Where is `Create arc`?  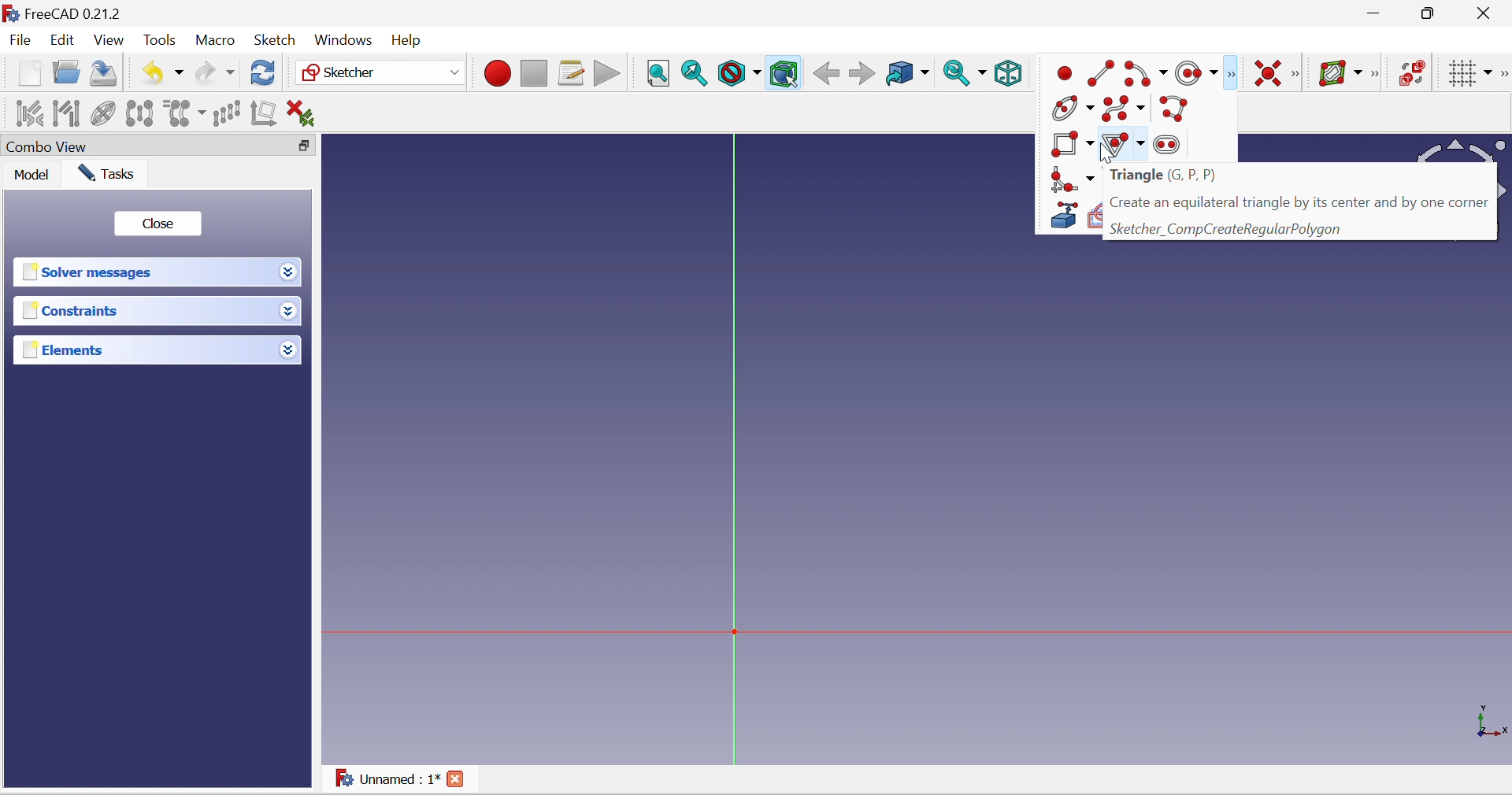
Create arc is located at coordinates (1146, 74).